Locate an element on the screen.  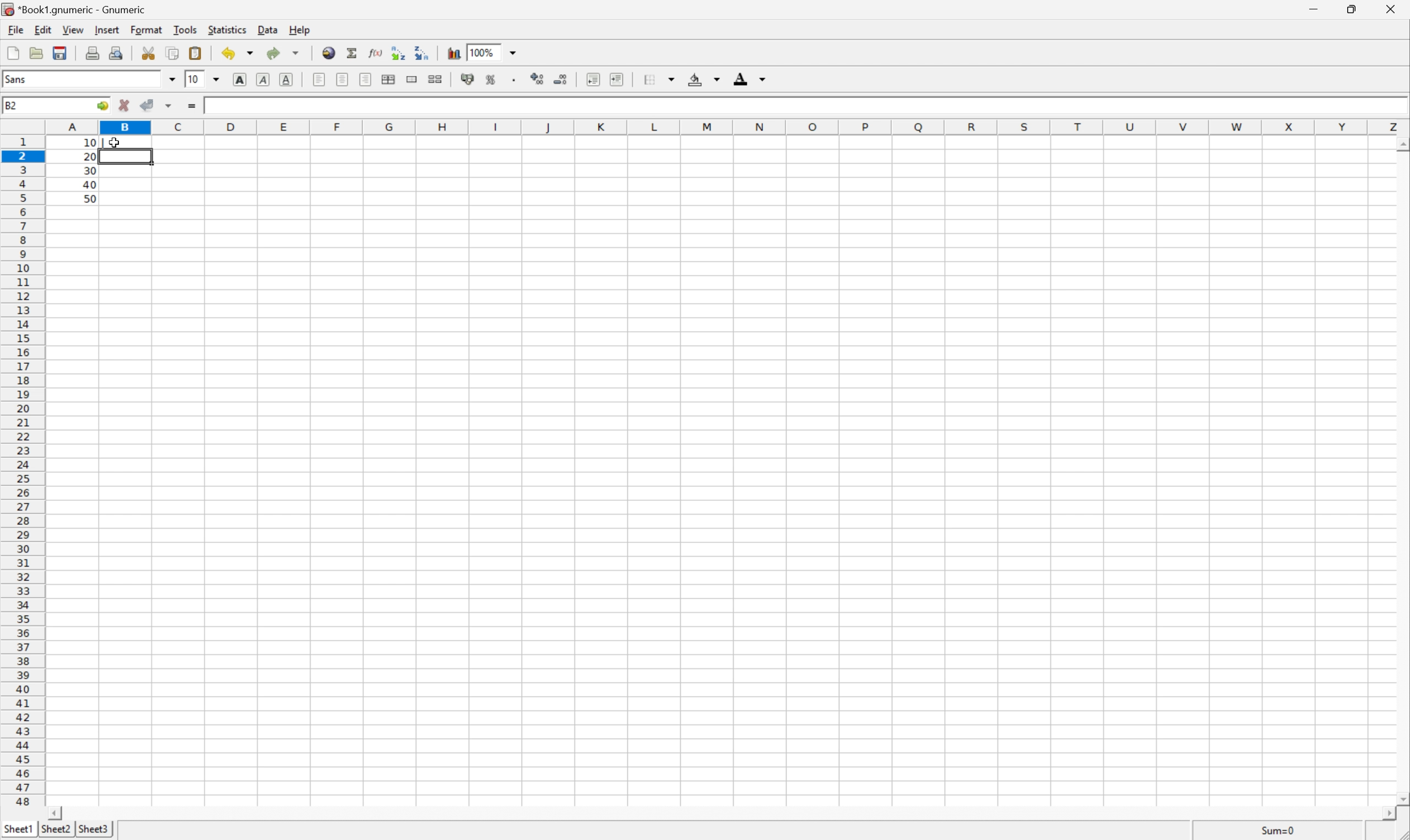
Column names is located at coordinates (723, 126).